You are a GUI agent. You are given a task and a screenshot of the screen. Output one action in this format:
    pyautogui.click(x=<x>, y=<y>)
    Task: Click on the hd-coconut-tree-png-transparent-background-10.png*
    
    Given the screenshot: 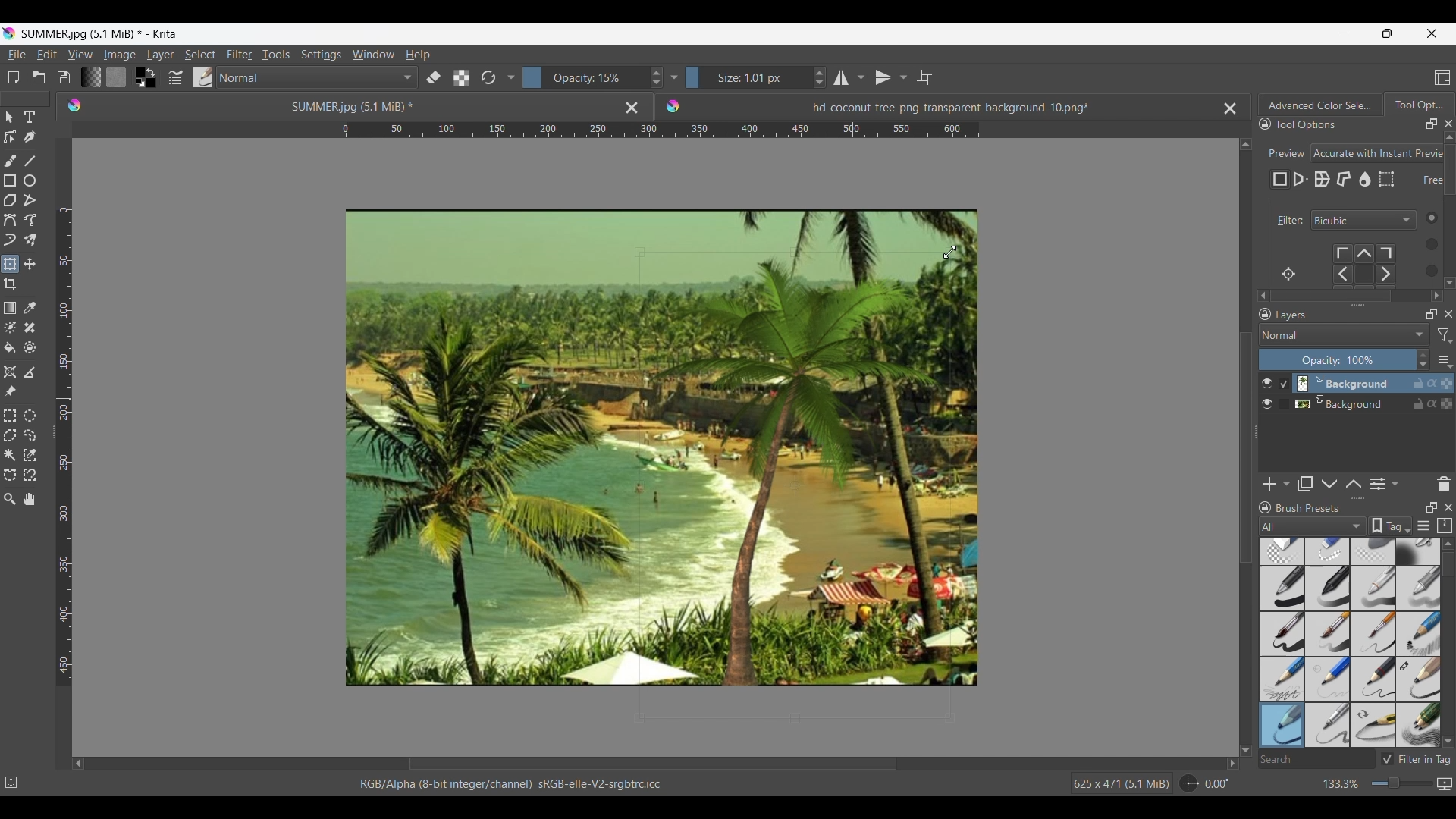 What is the action you would take?
    pyautogui.click(x=915, y=103)
    